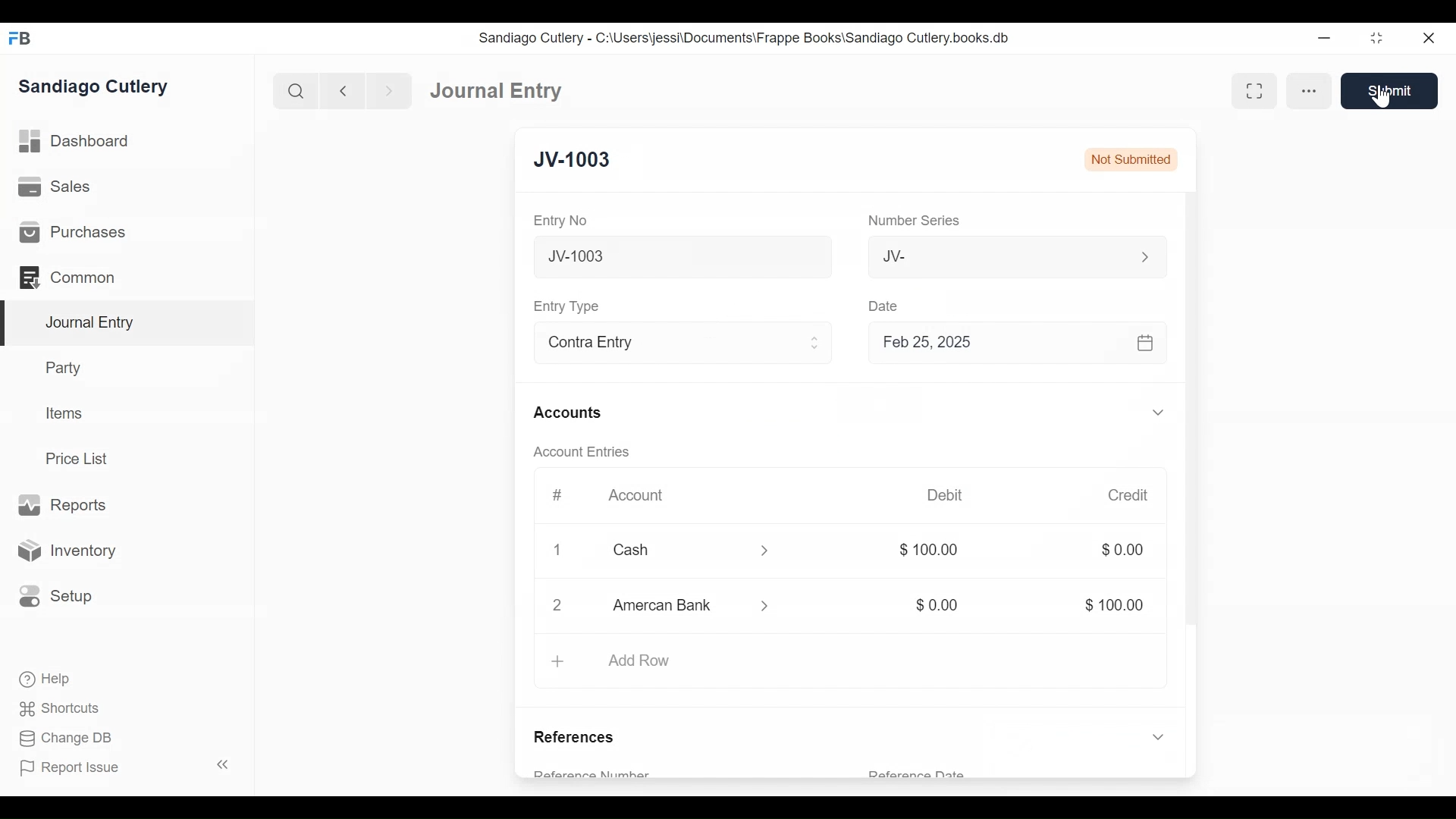 The height and width of the screenshot is (819, 1456). What do you see at coordinates (667, 608) in the screenshot?
I see `Amercan Bank` at bounding box center [667, 608].